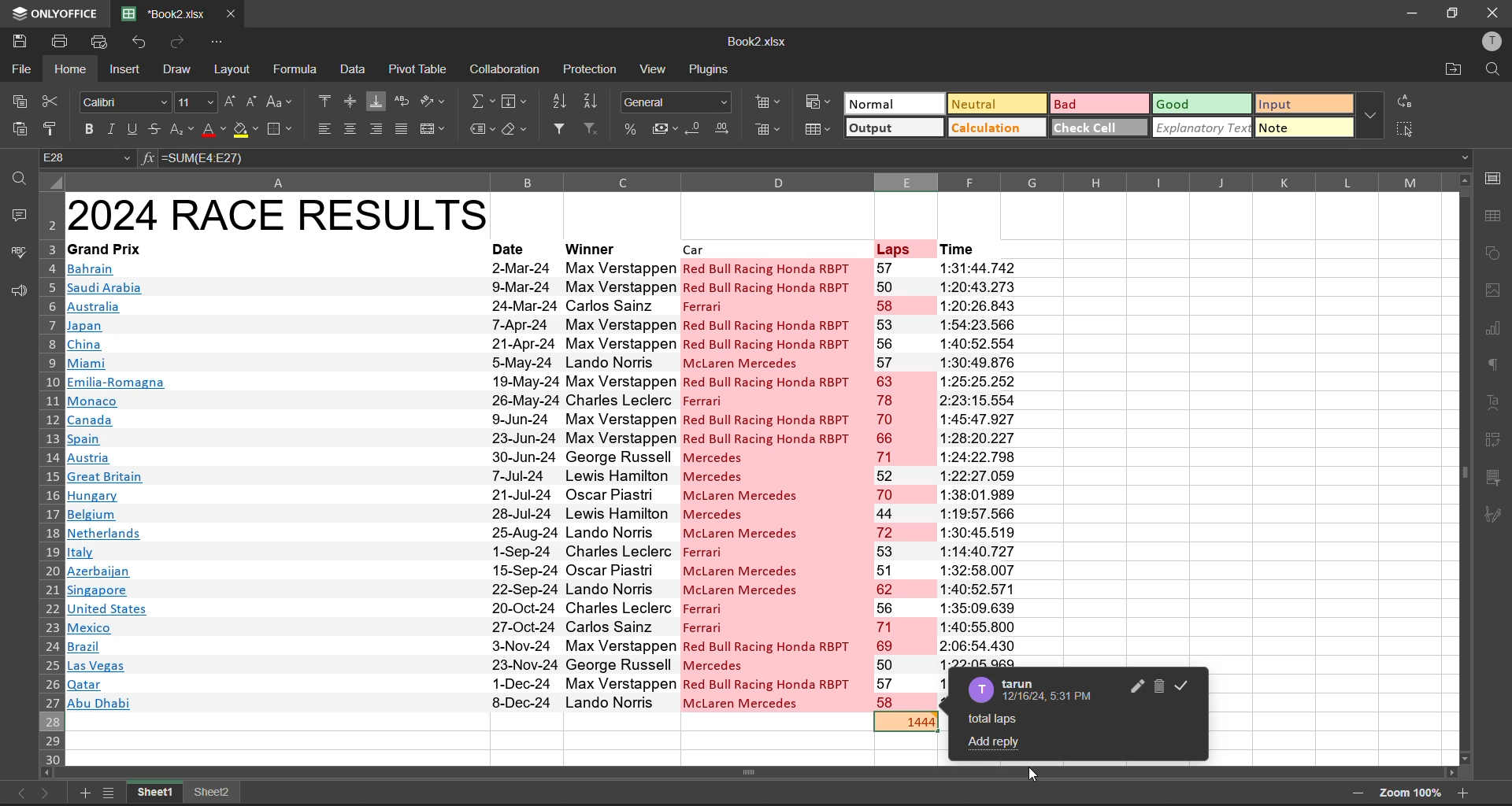  Describe the element at coordinates (17, 98) in the screenshot. I see `copy` at that location.